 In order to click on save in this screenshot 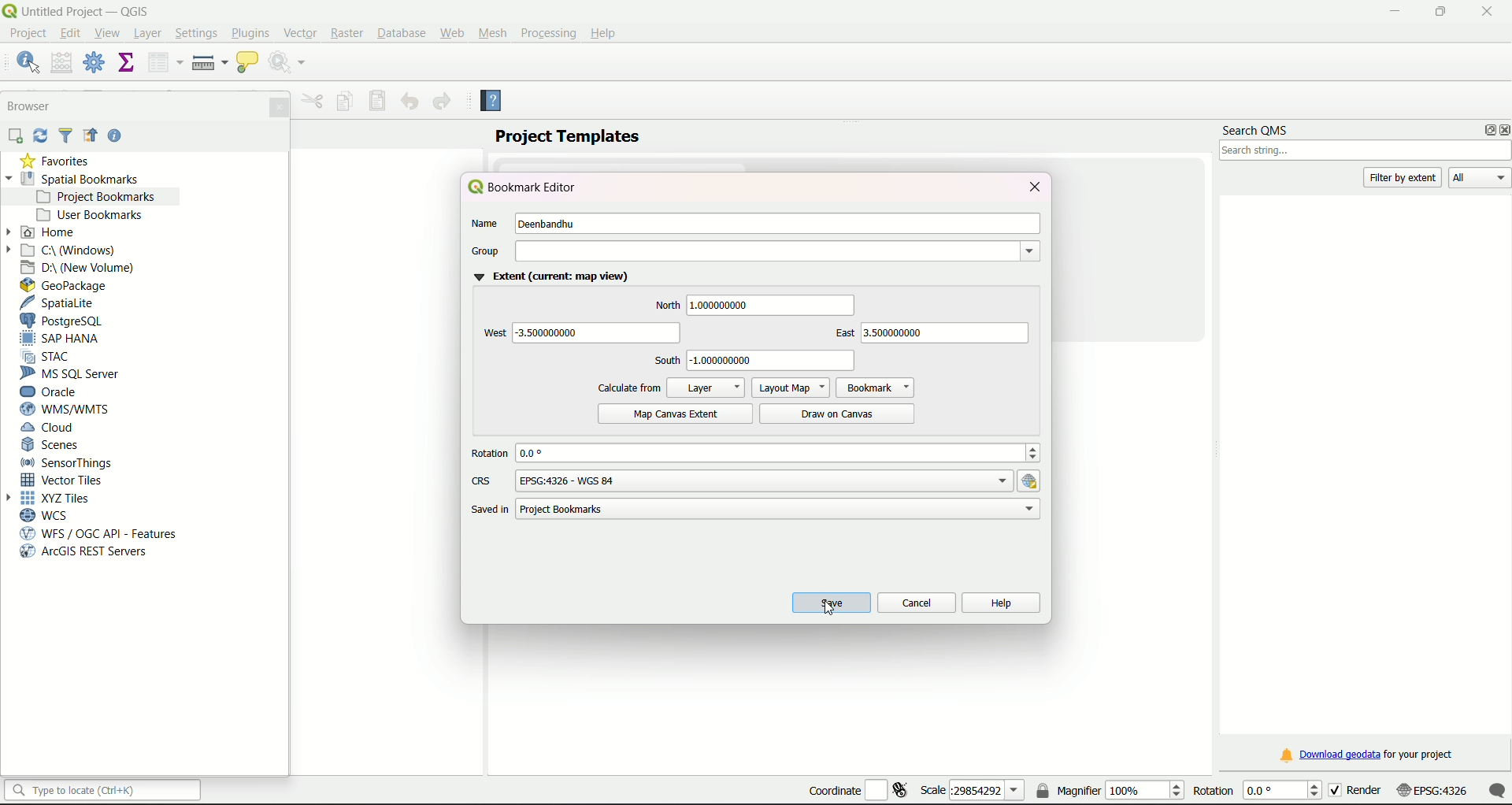, I will do `click(831, 602)`.